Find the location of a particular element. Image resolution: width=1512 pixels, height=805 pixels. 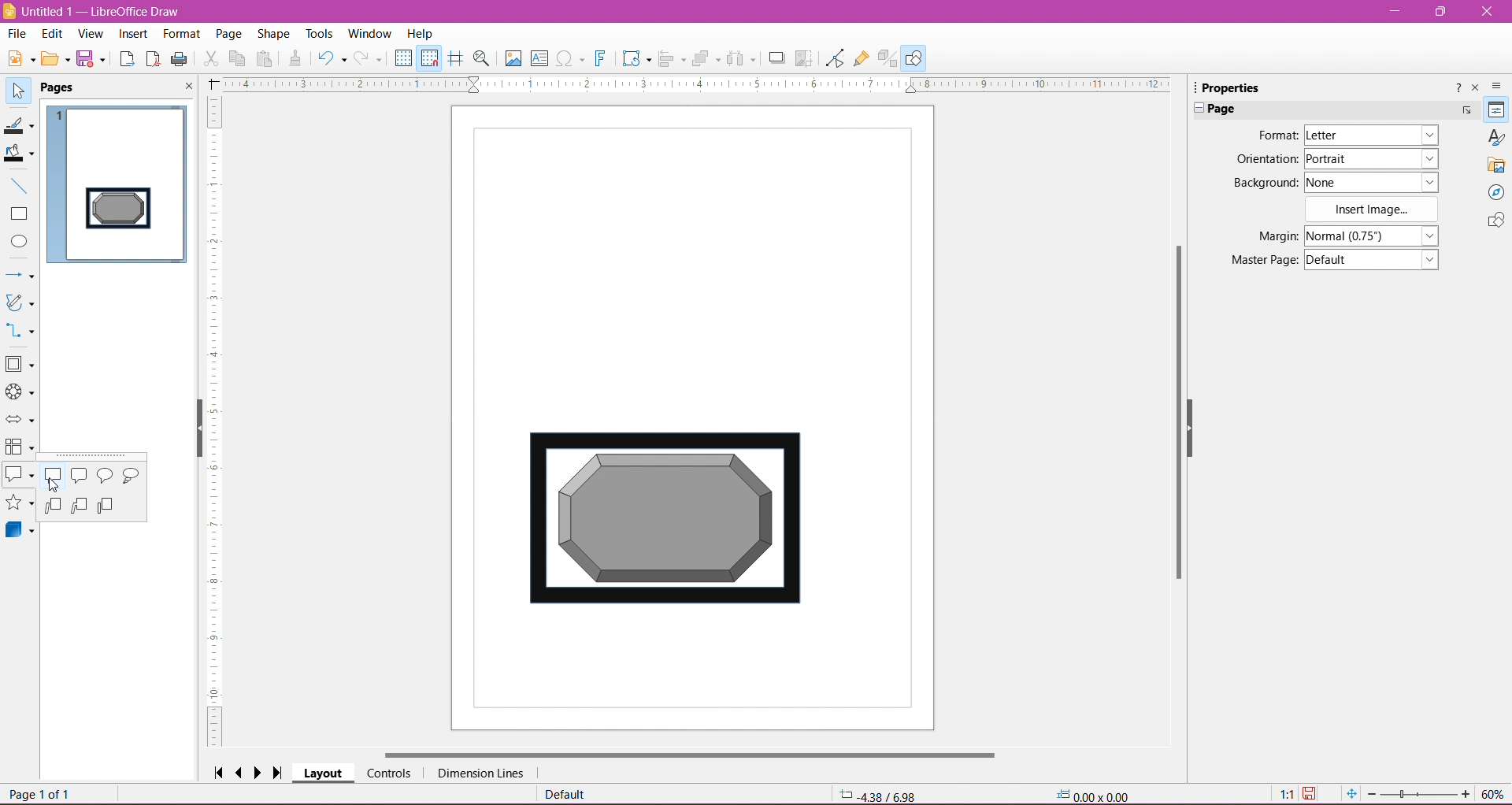

60% is located at coordinates (1495, 793).